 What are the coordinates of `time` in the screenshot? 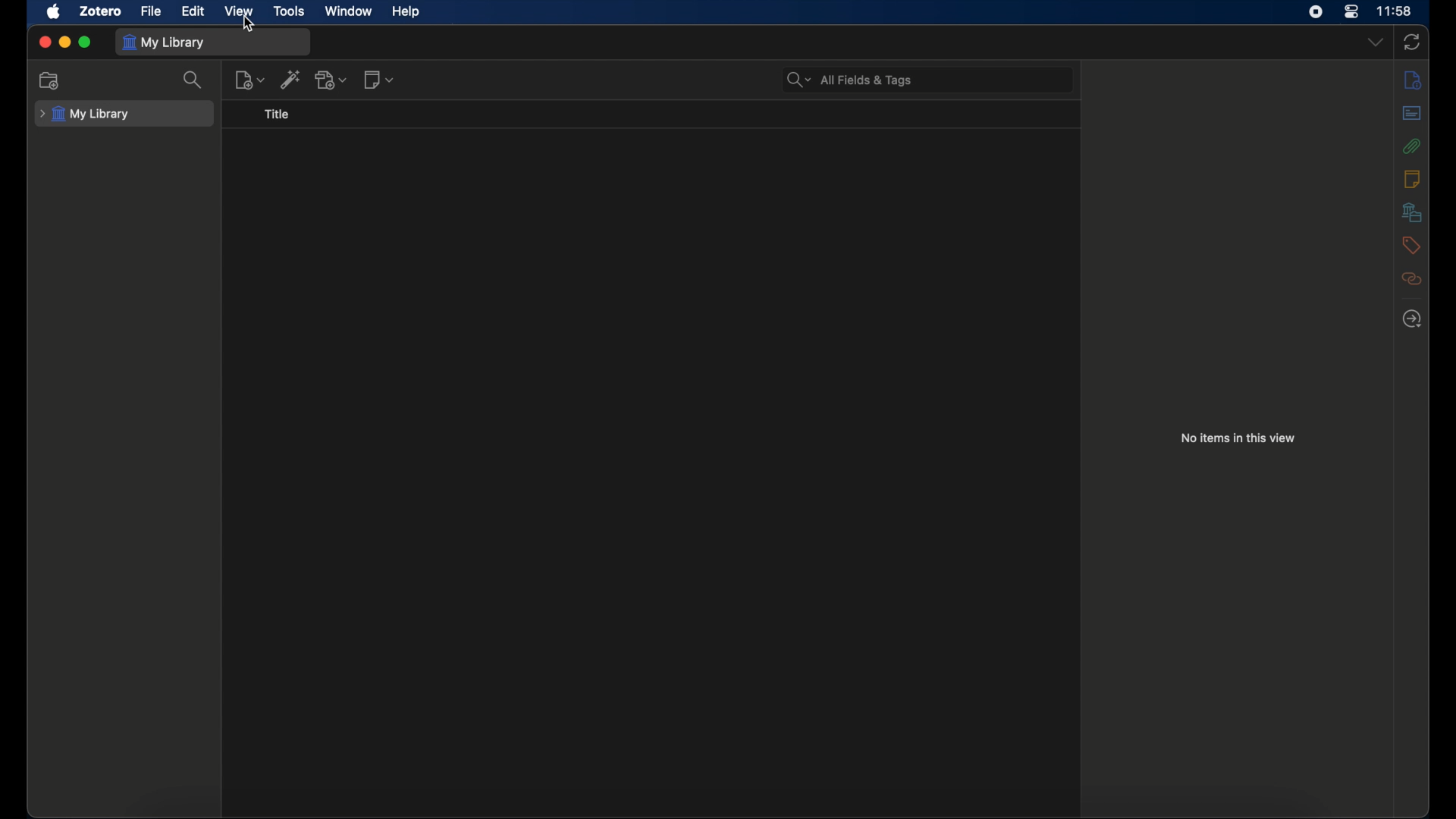 It's located at (1394, 11).